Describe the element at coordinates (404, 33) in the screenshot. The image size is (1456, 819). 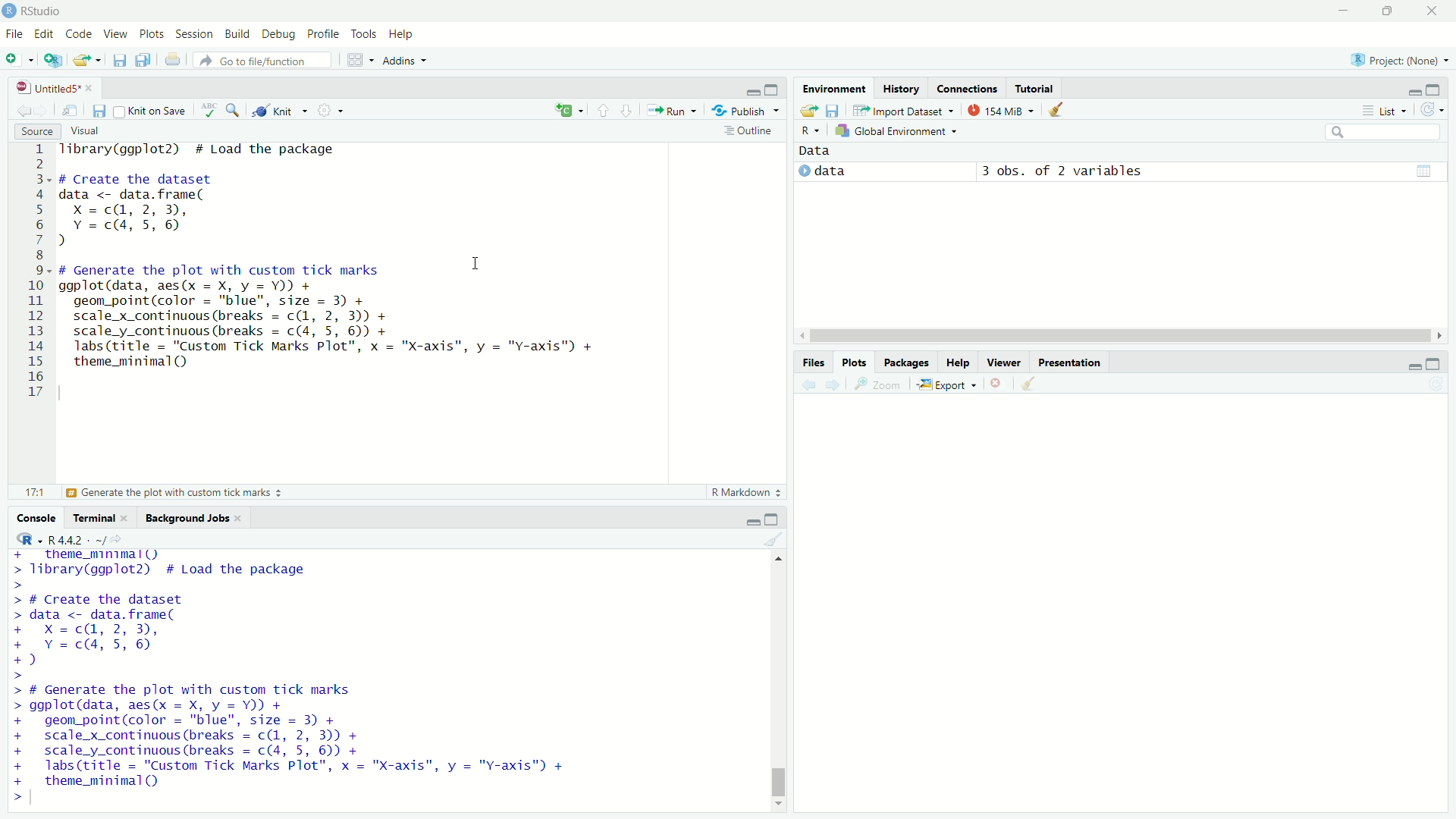
I see `help` at that location.